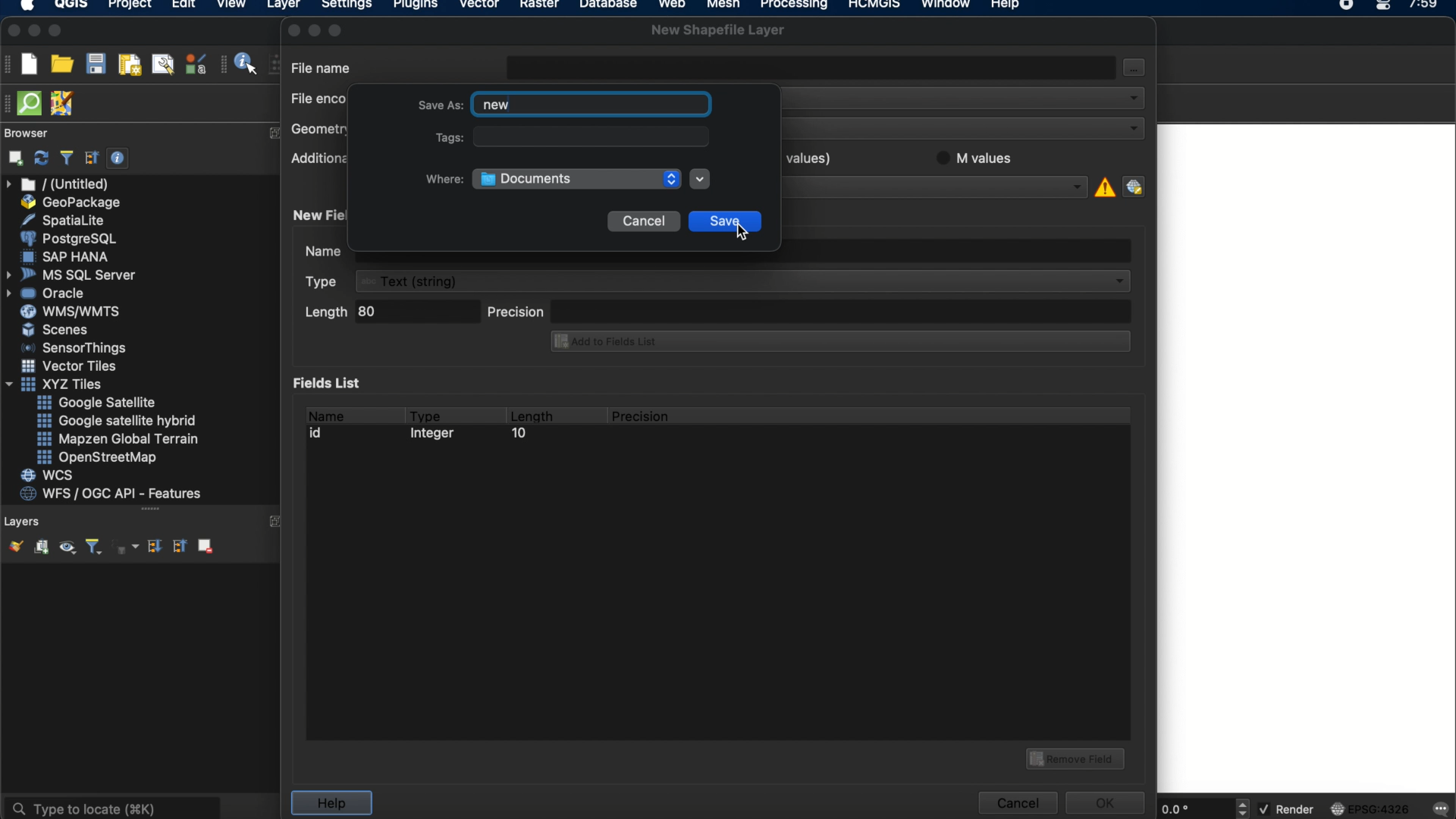 This screenshot has width=1456, height=819. What do you see at coordinates (1348, 6) in the screenshot?
I see `recorder icon` at bounding box center [1348, 6].